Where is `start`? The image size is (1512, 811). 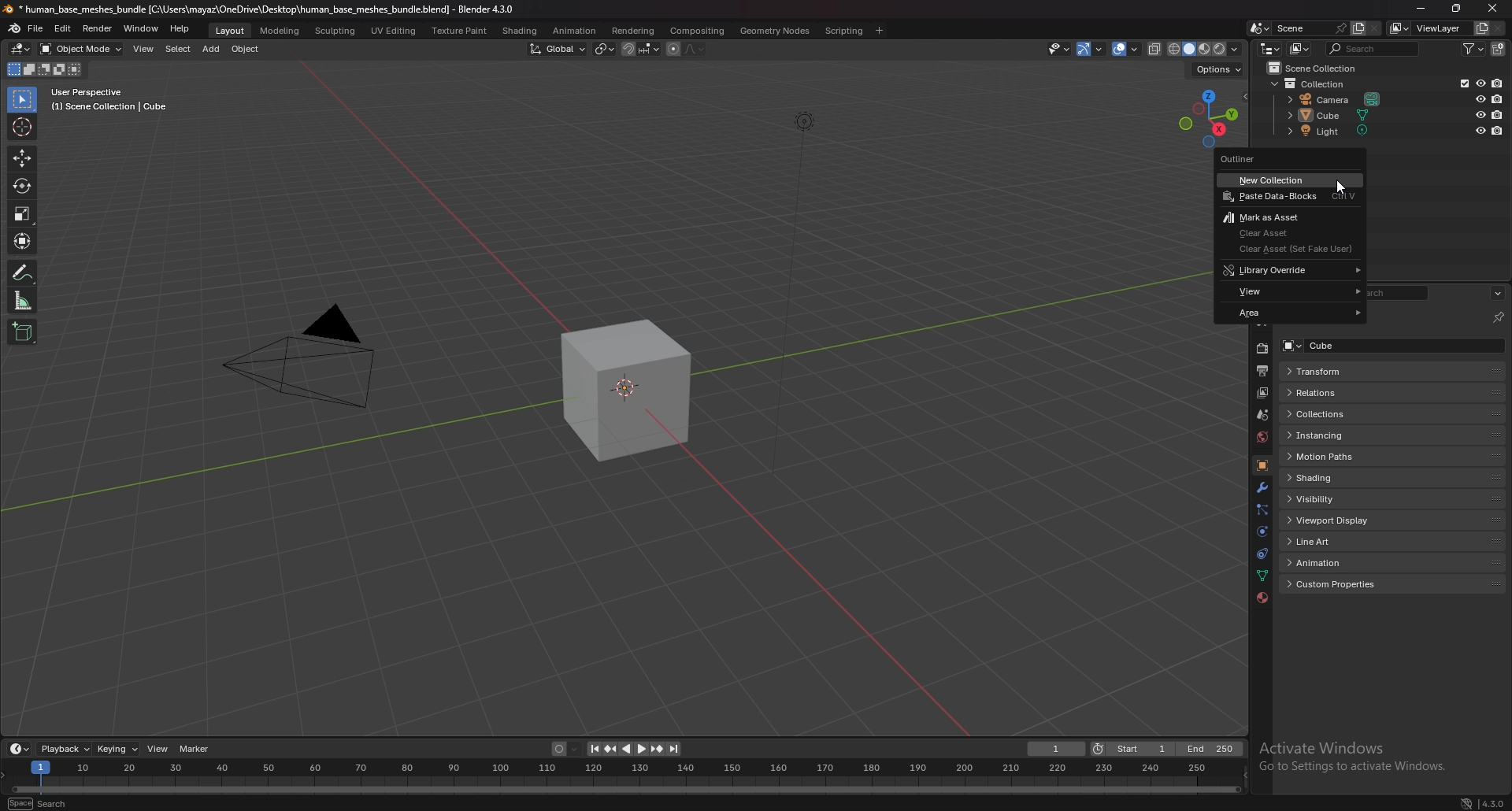 start is located at coordinates (1131, 749).